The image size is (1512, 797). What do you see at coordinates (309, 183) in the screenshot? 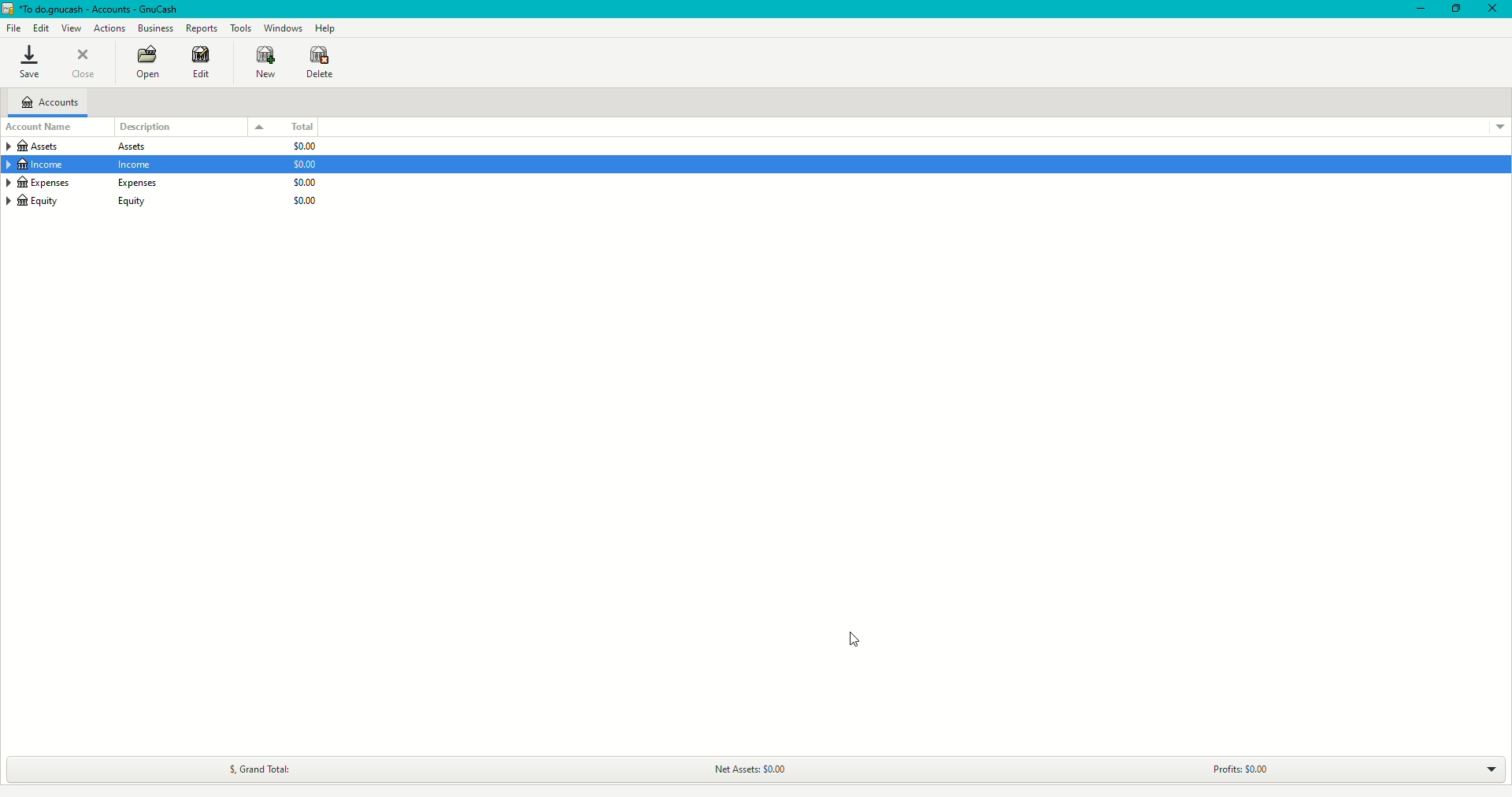
I see `$0` at bounding box center [309, 183].